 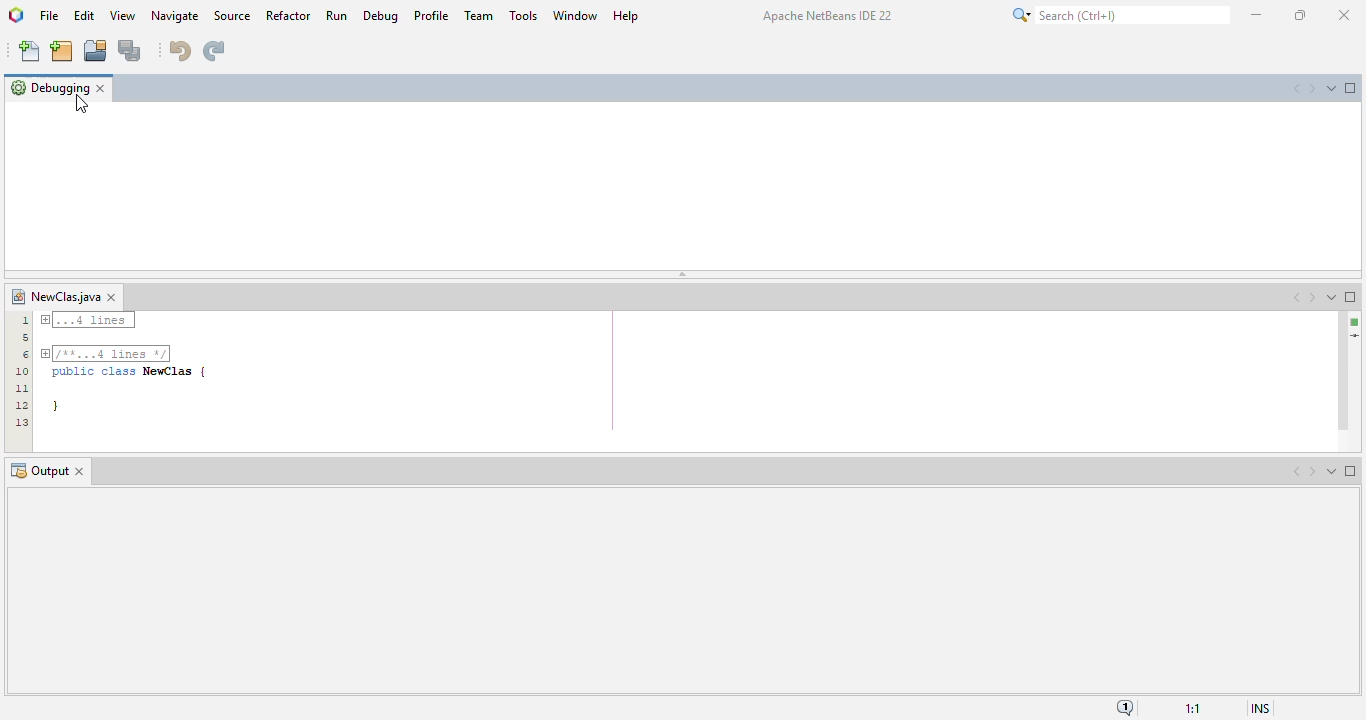 What do you see at coordinates (62, 51) in the screenshot?
I see `new project` at bounding box center [62, 51].